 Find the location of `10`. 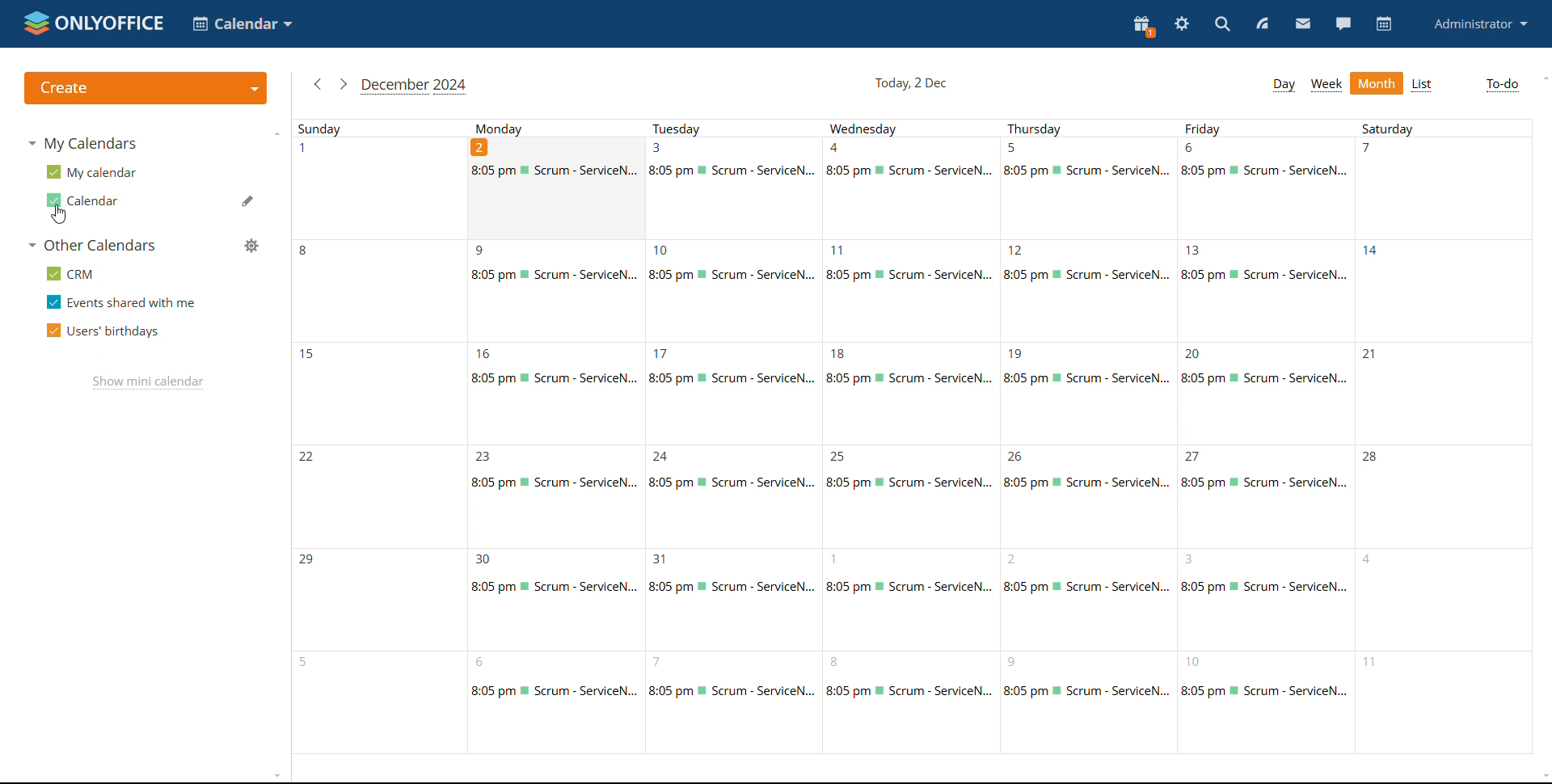

10 is located at coordinates (1264, 700).